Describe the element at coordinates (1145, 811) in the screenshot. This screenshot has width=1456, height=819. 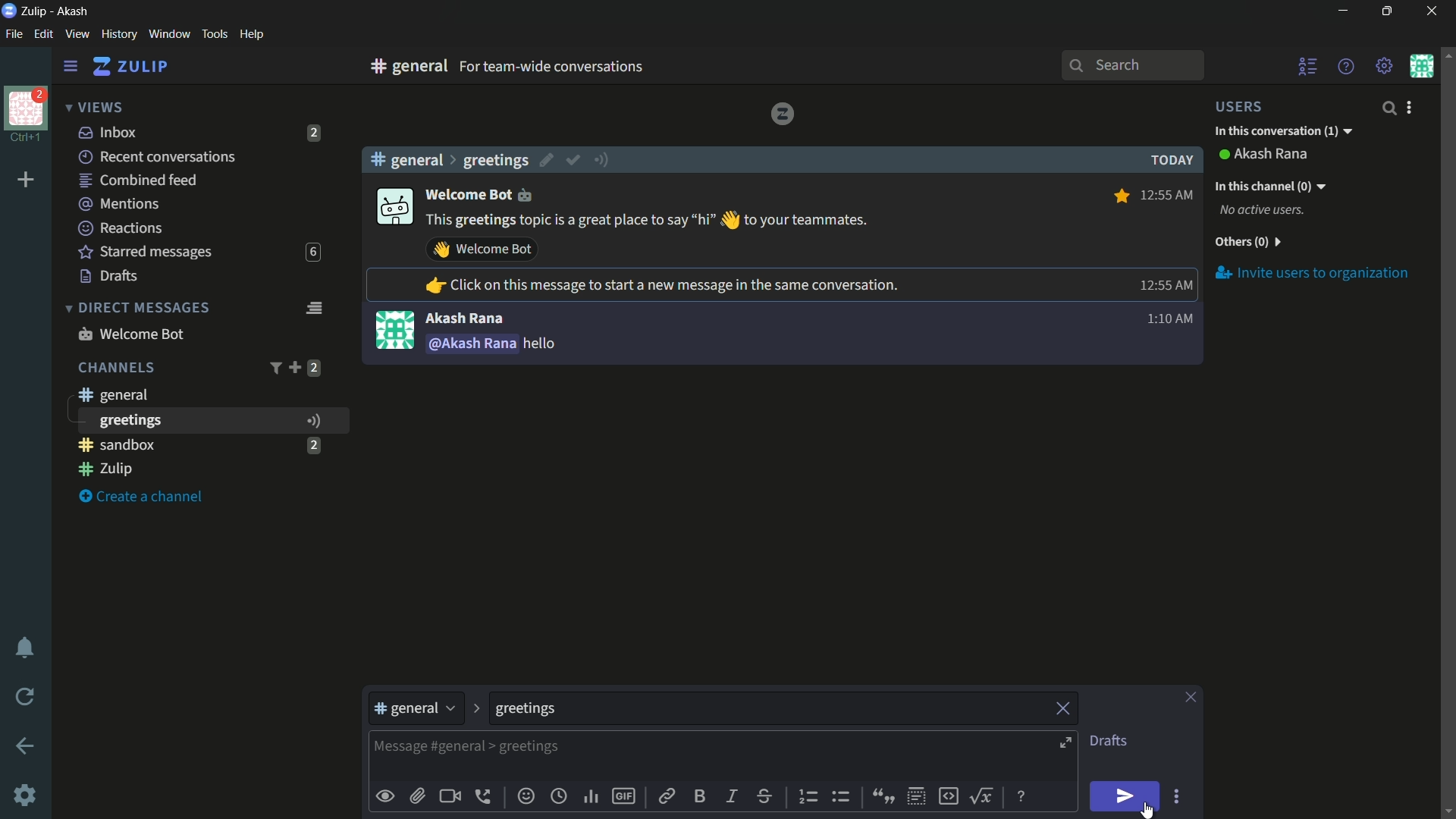
I see `cursor` at that location.